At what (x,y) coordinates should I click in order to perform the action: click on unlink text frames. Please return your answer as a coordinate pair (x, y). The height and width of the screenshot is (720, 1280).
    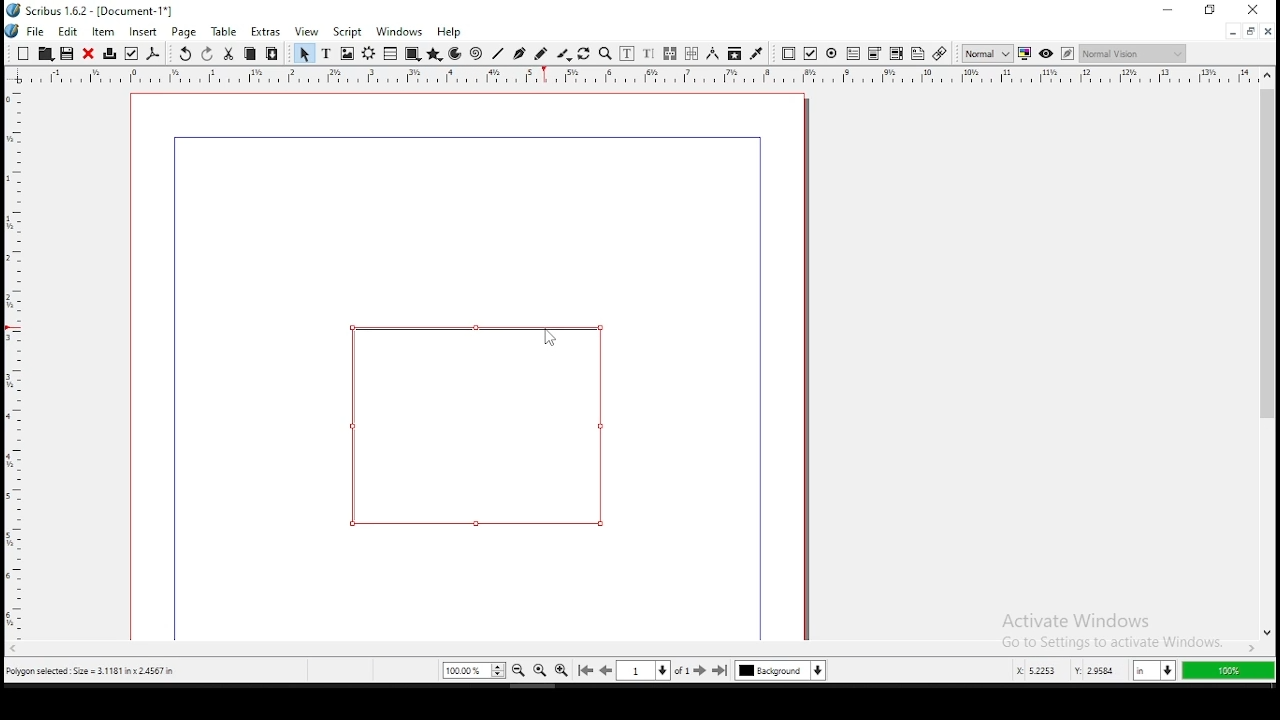
    Looking at the image, I should click on (693, 54).